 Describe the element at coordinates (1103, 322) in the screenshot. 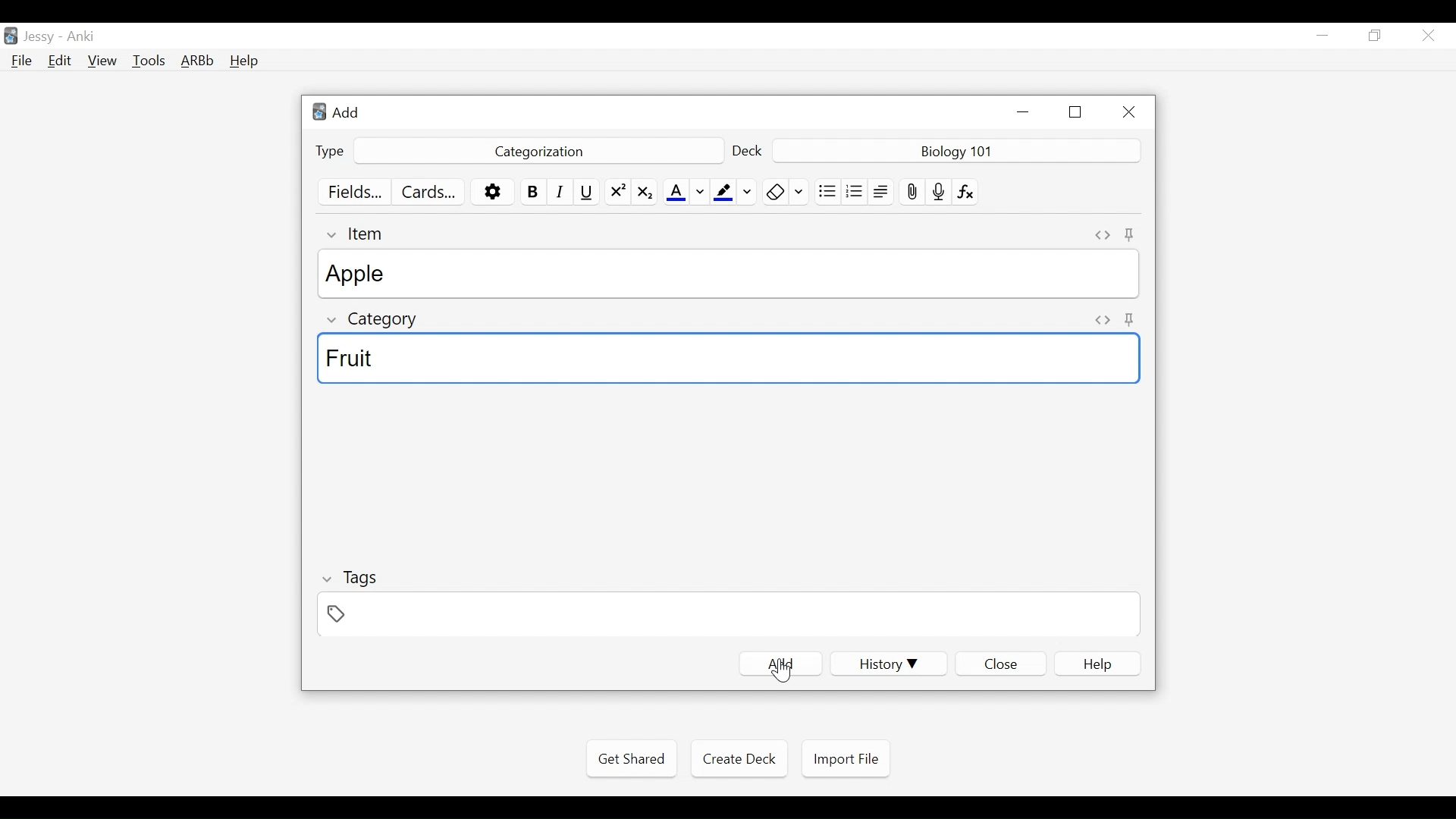

I see `Toggle HTML Editor` at that location.